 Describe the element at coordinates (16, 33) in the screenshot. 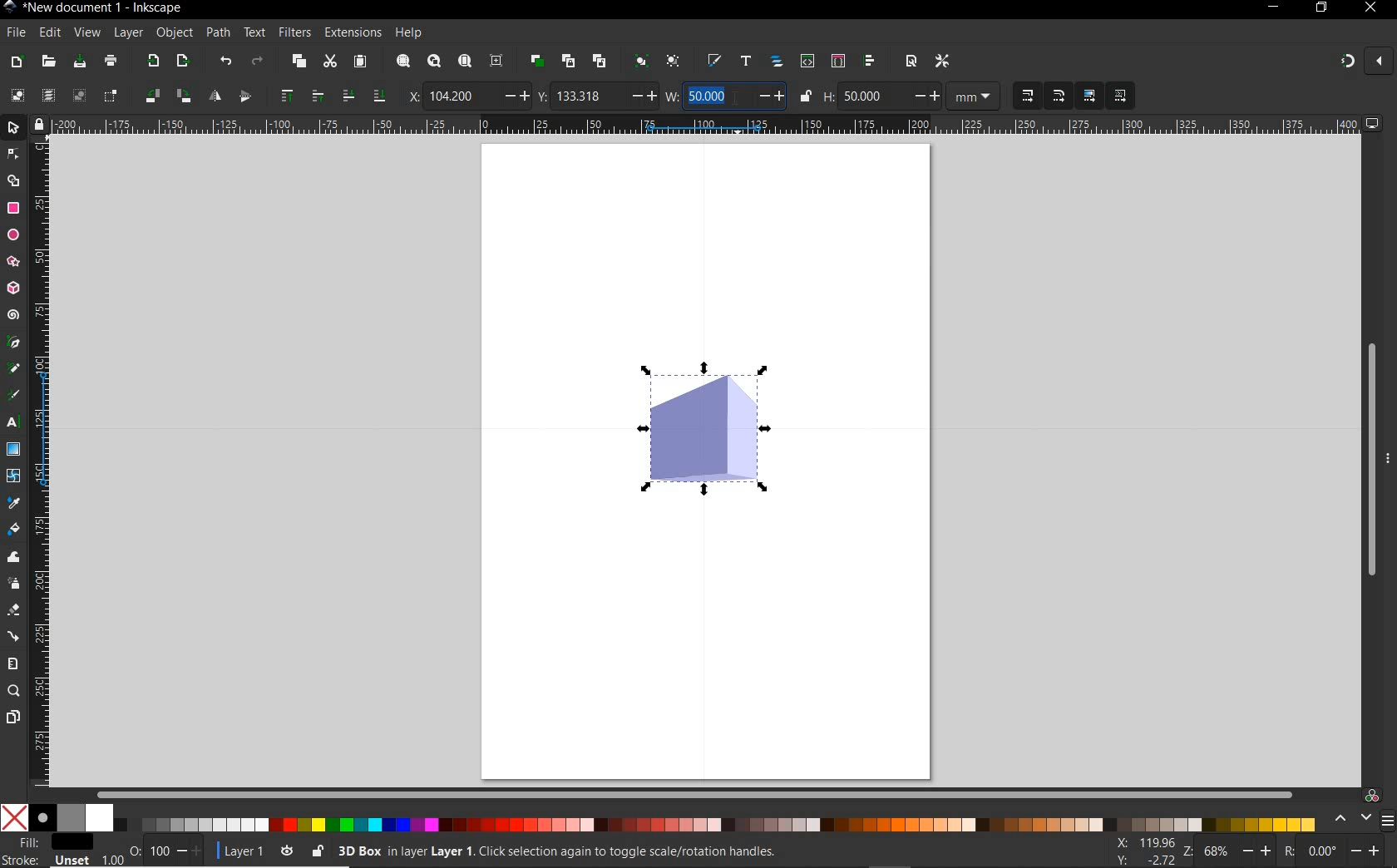

I see `file` at that location.